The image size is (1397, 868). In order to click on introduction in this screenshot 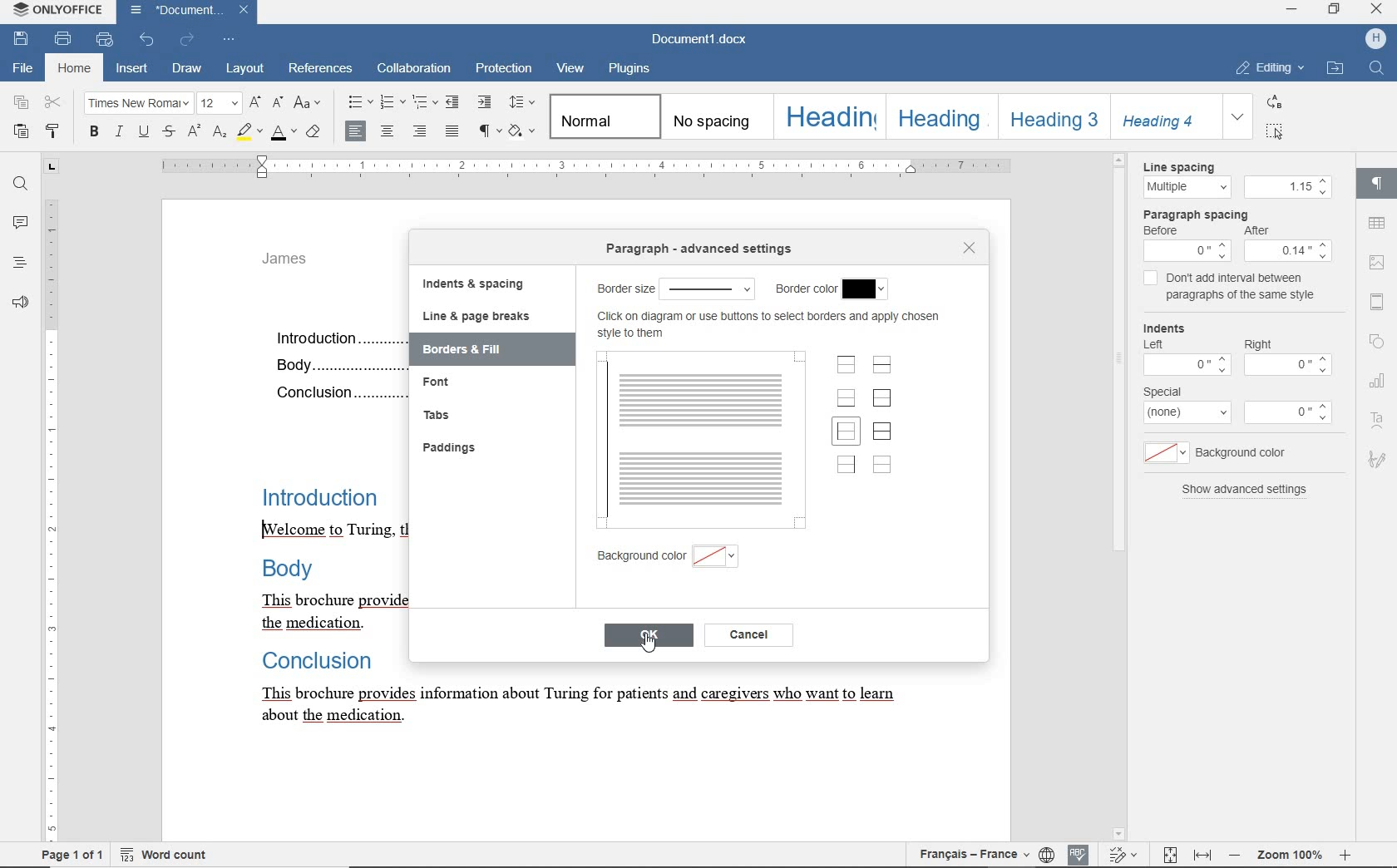, I will do `click(335, 338)`.